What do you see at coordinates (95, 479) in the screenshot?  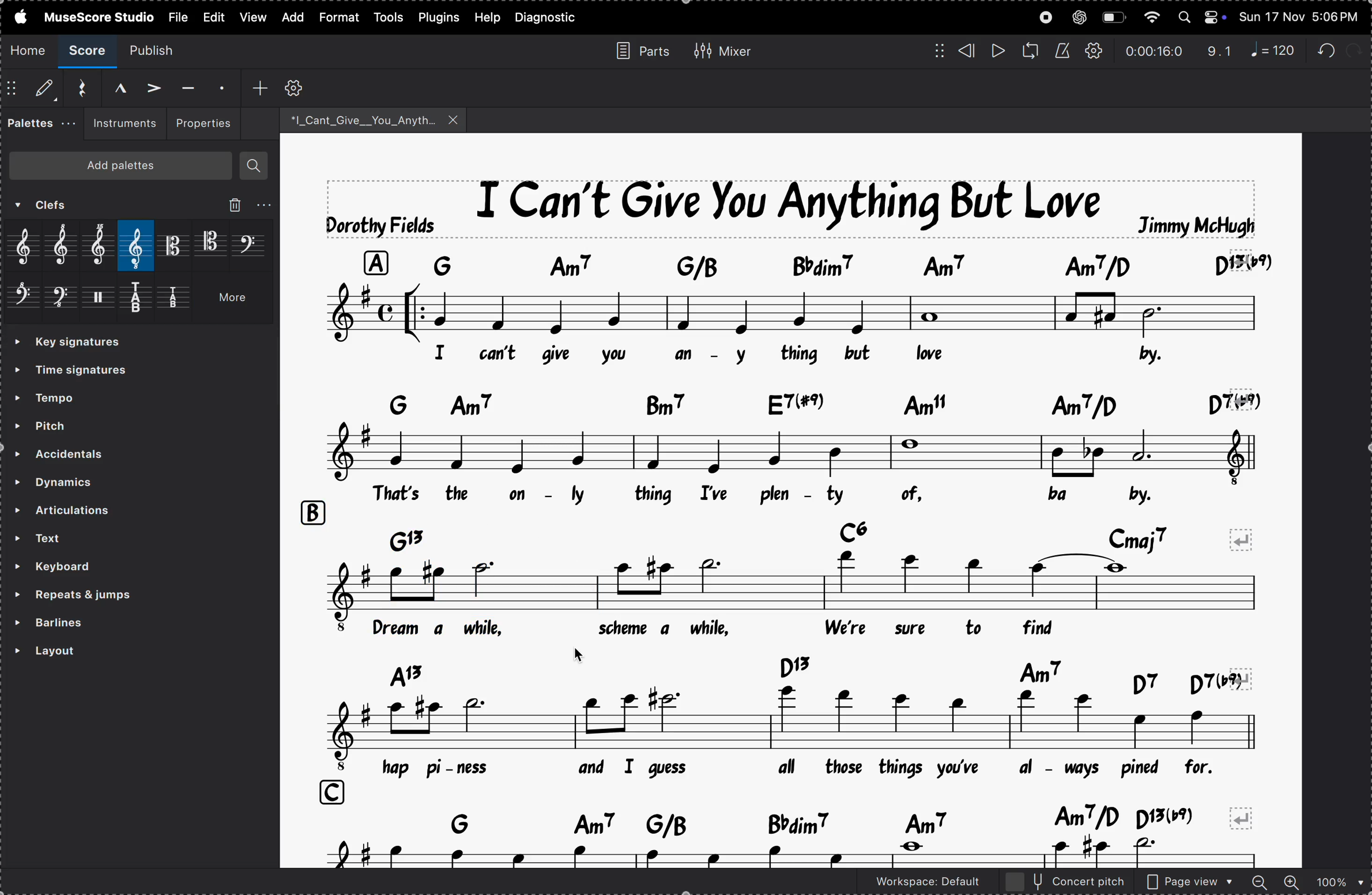 I see `dynamics` at bounding box center [95, 479].